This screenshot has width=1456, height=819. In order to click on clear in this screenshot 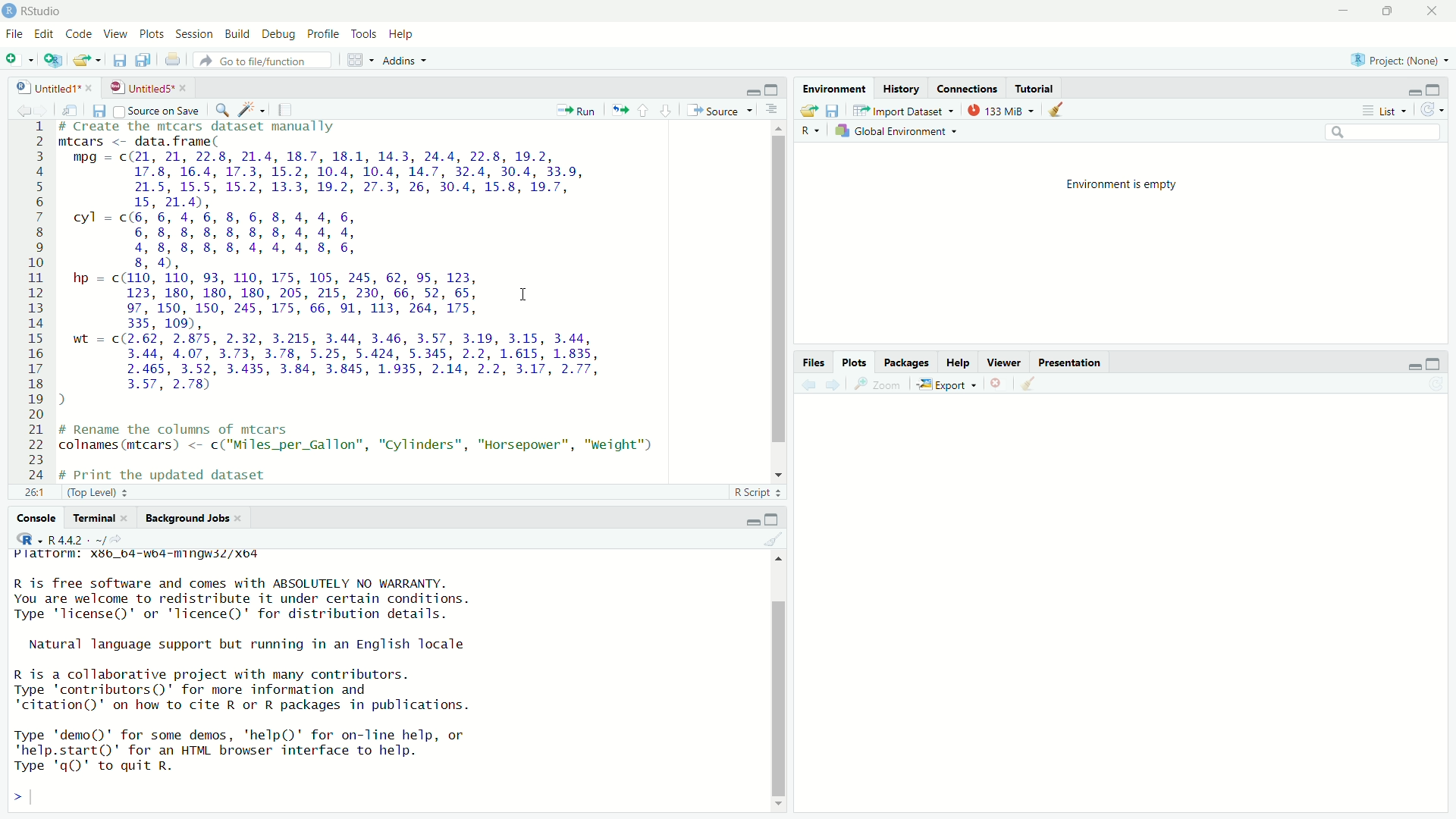, I will do `click(1062, 111)`.